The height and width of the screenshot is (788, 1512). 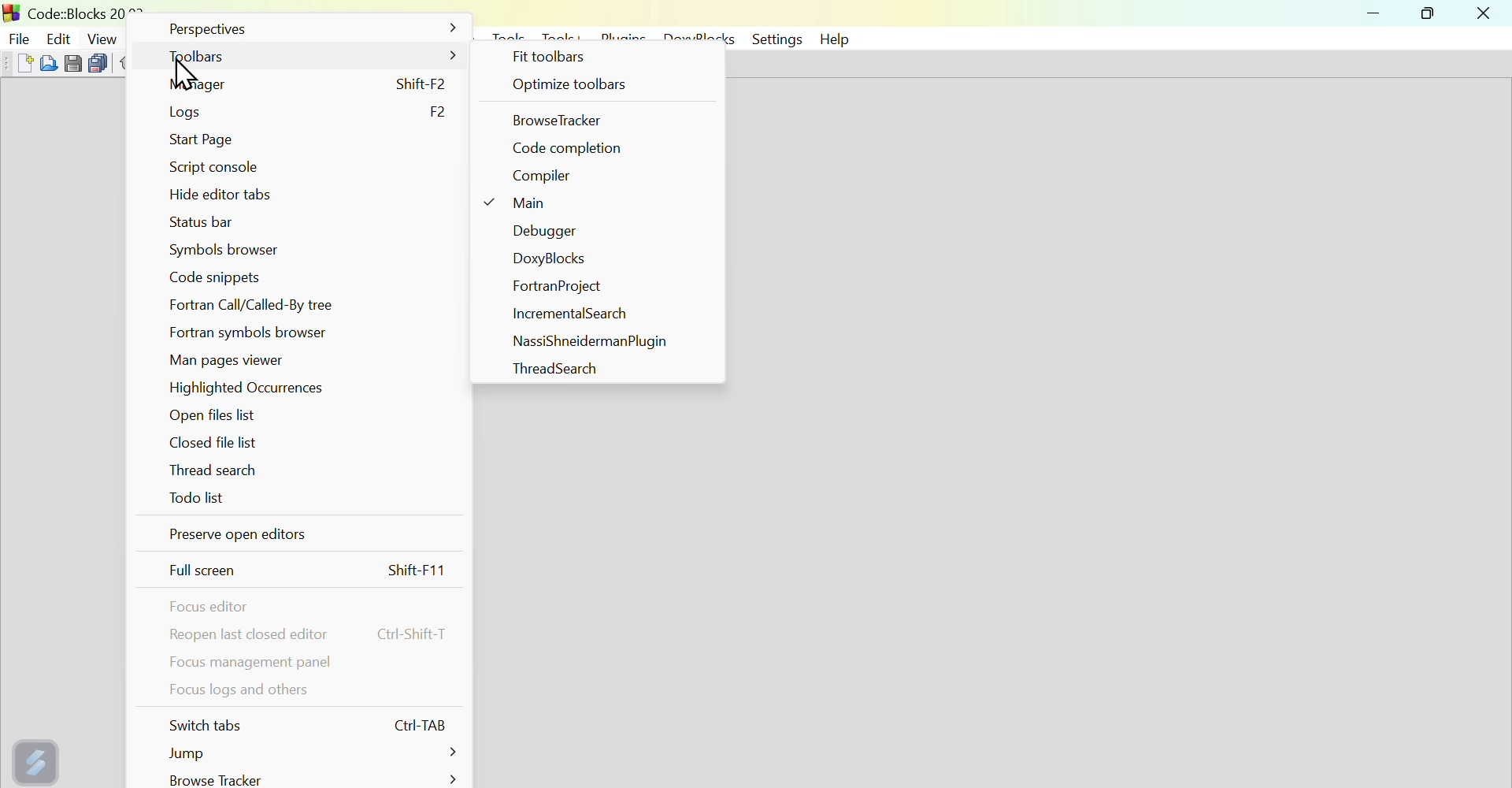 What do you see at coordinates (98, 61) in the screenshot?
I see `Save multiple` at bounding box center [98, 61].